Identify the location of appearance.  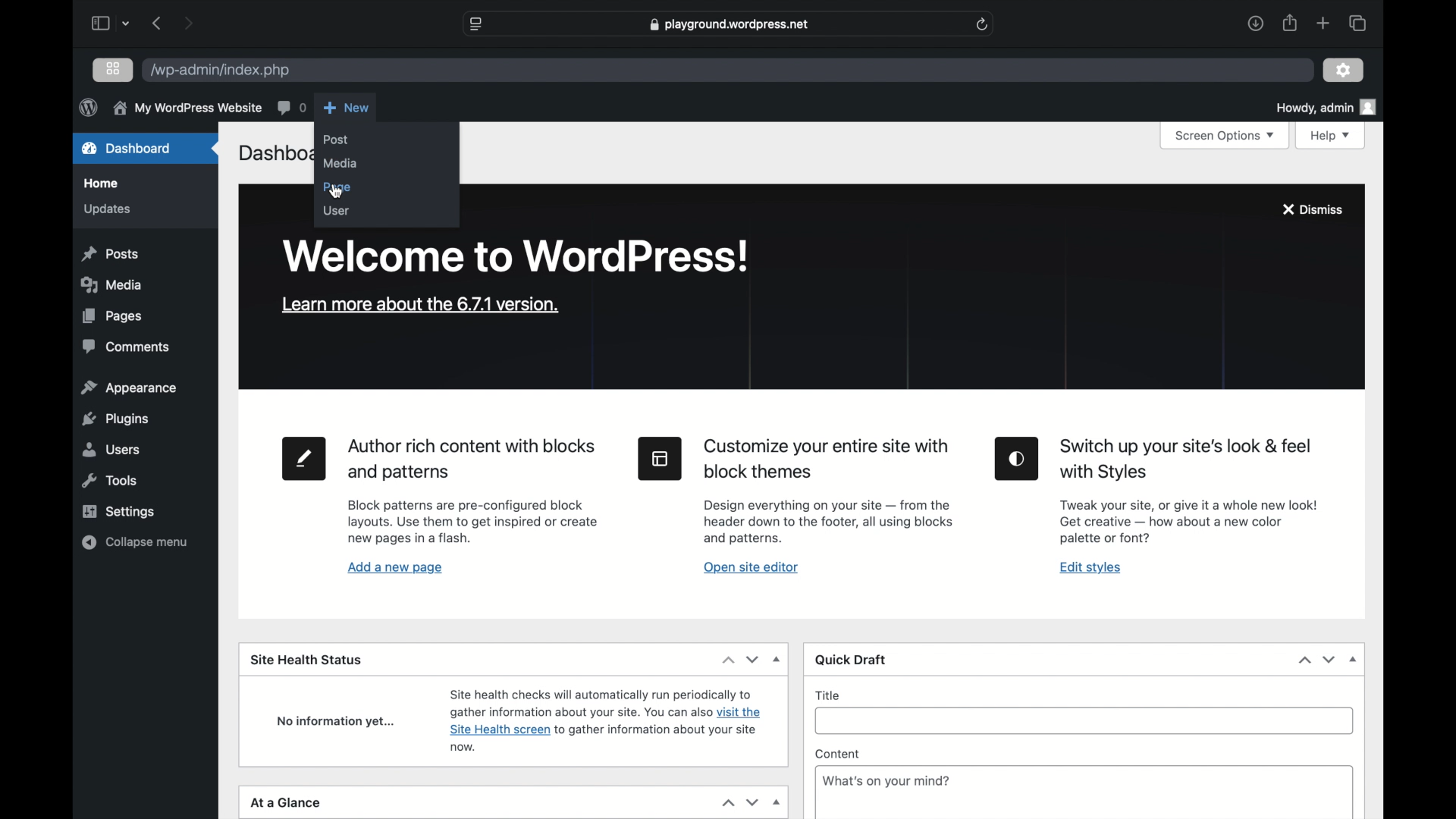
(129, 388).